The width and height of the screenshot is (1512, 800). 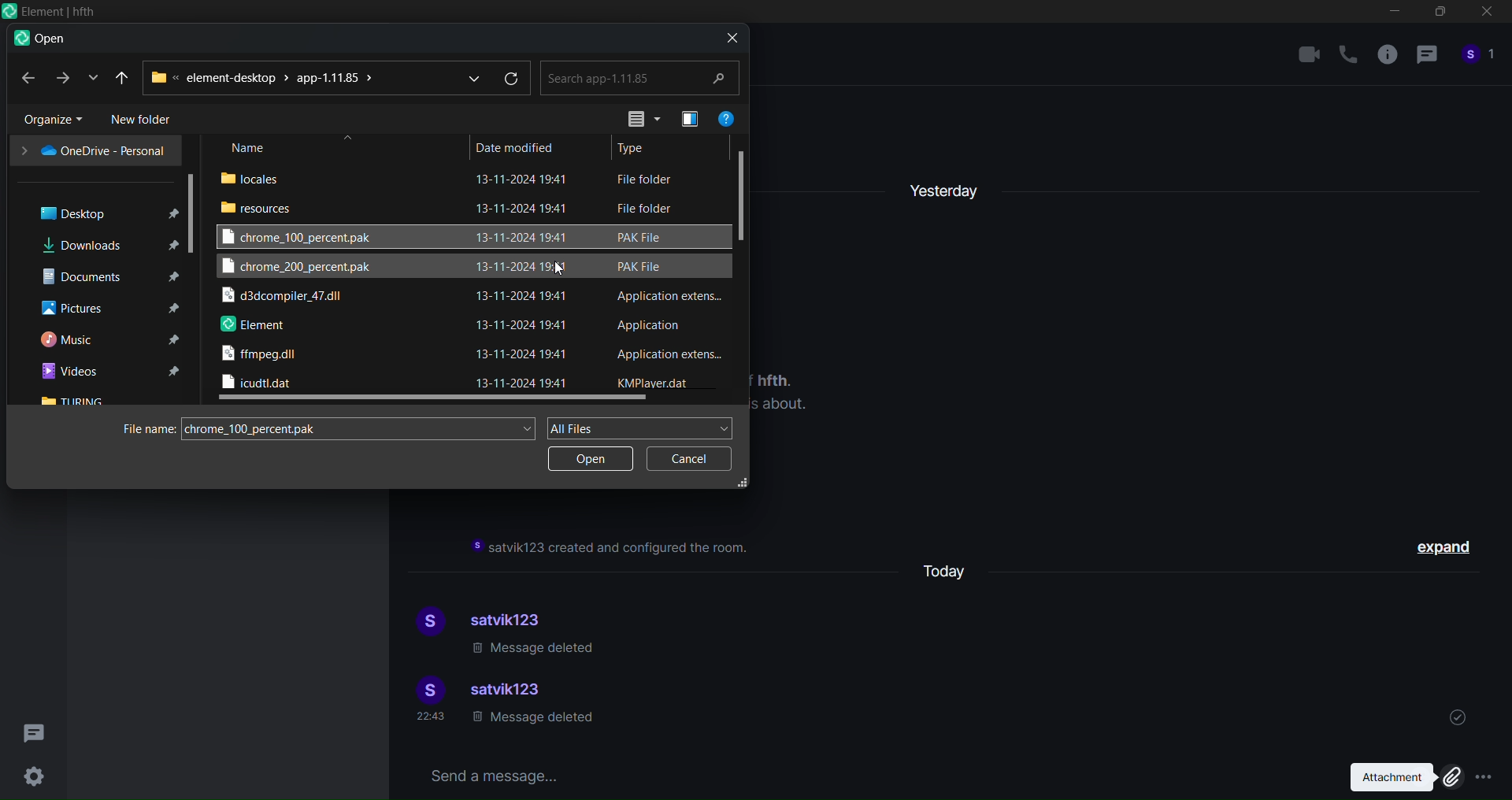 I want to click on satvik123, so click(x=510, y=691).